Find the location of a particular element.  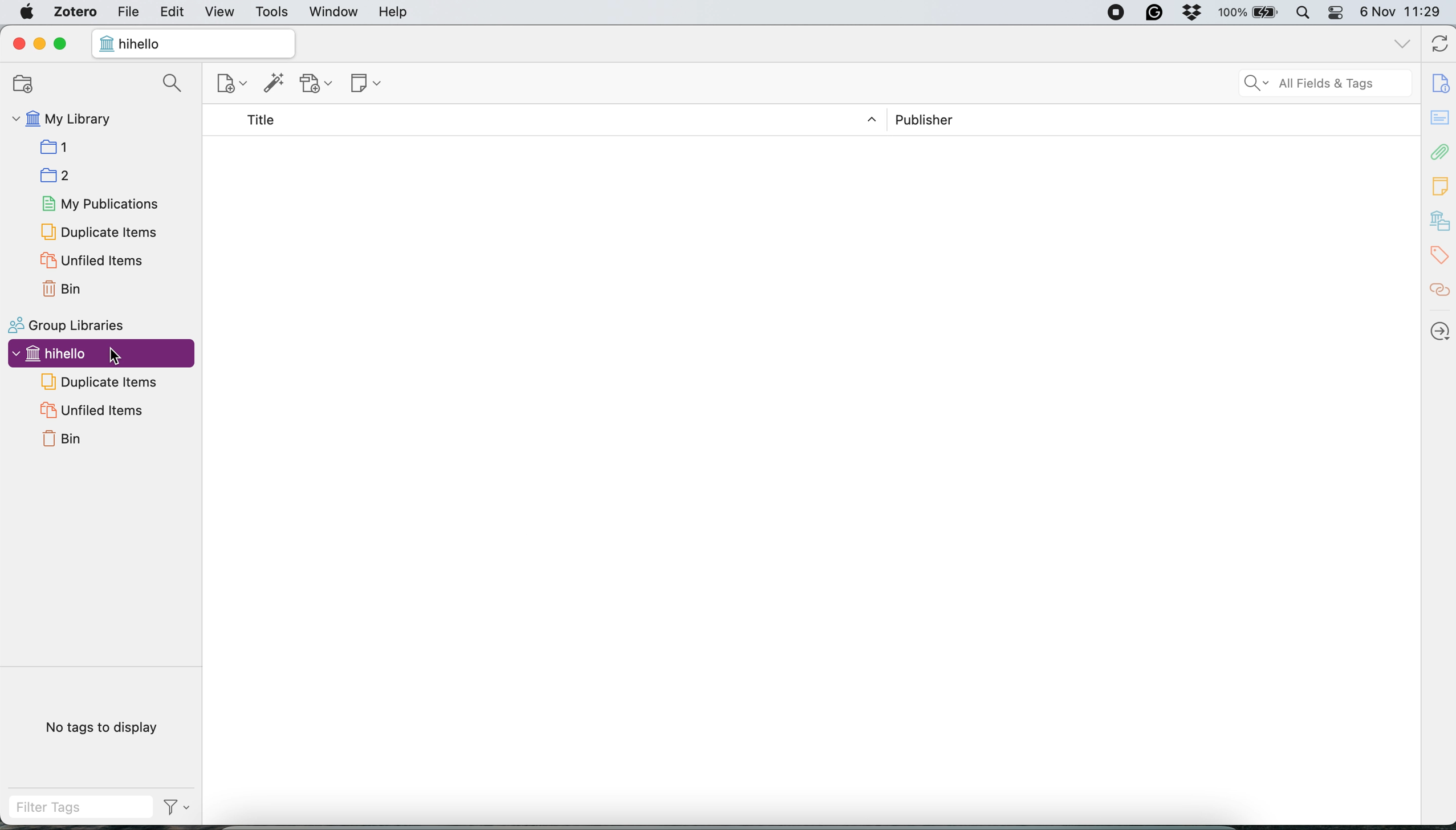

group libraries is located at coordinates (73, 324).